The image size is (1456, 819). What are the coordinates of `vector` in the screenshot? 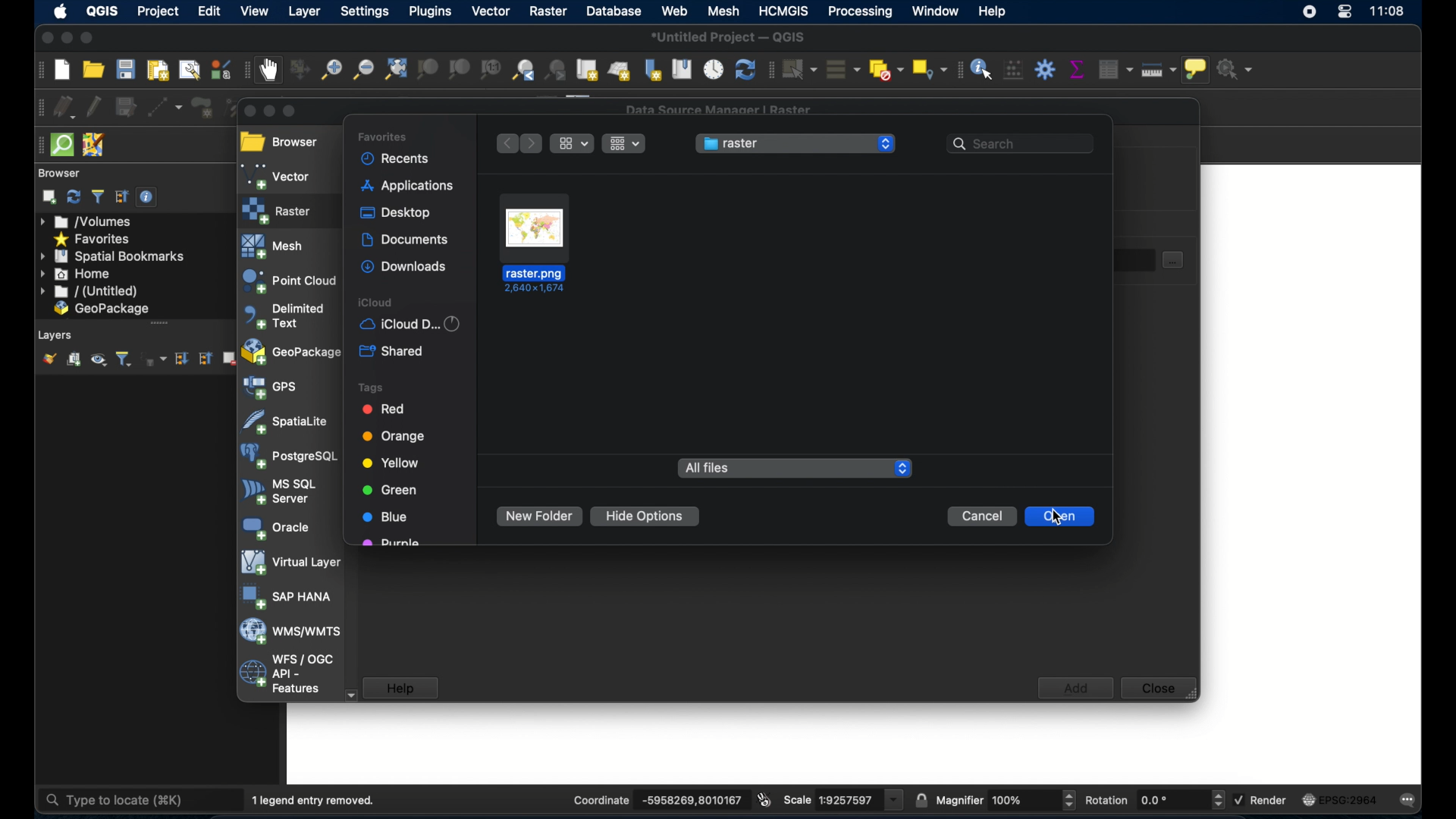 It's located at (278, 174).